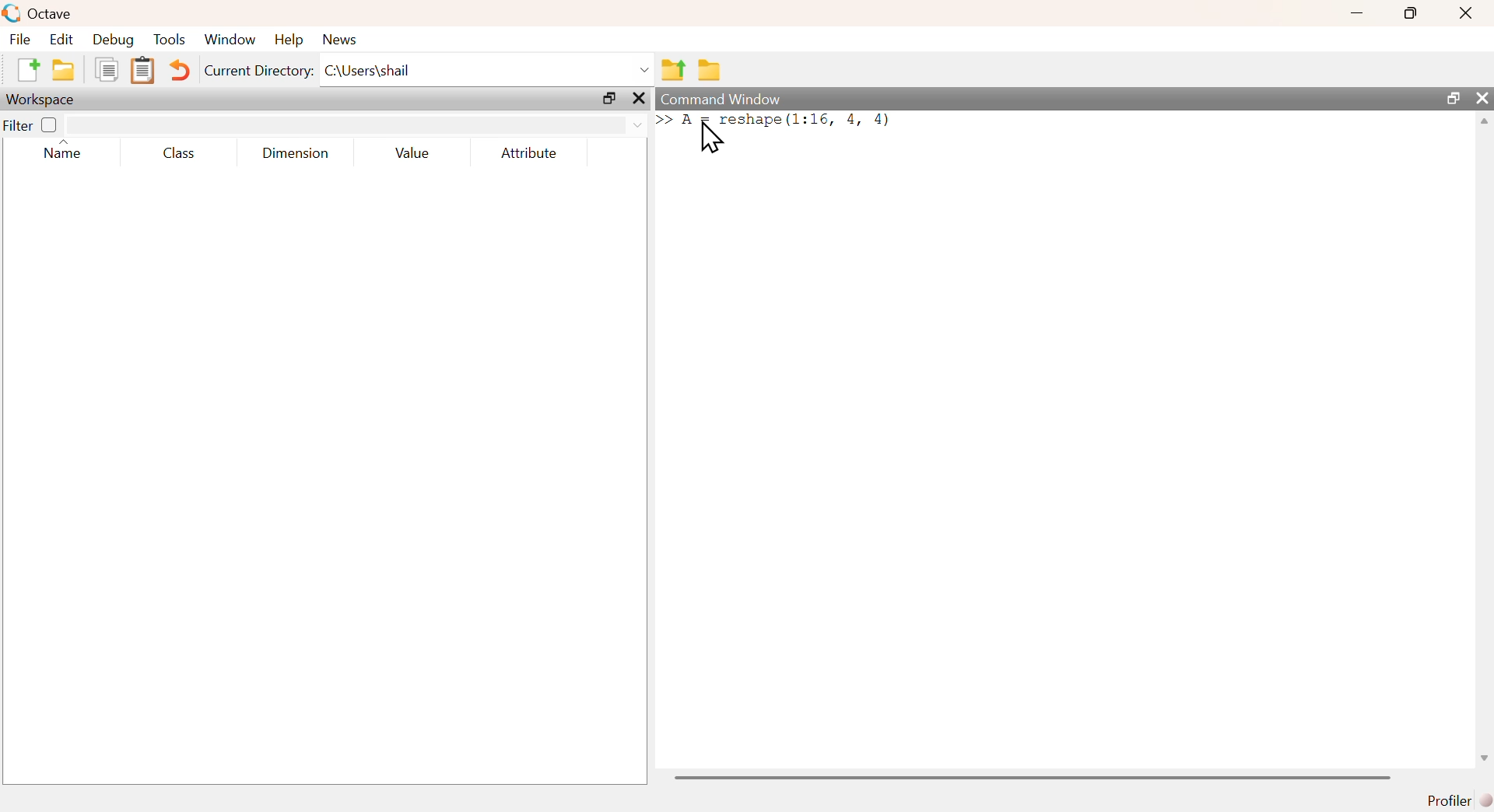 This screenshot has width=1494, height=812. What do you see at coordinates (46, 100) in the screenshot?
I see `workspace` at bounding box center [46, 100].